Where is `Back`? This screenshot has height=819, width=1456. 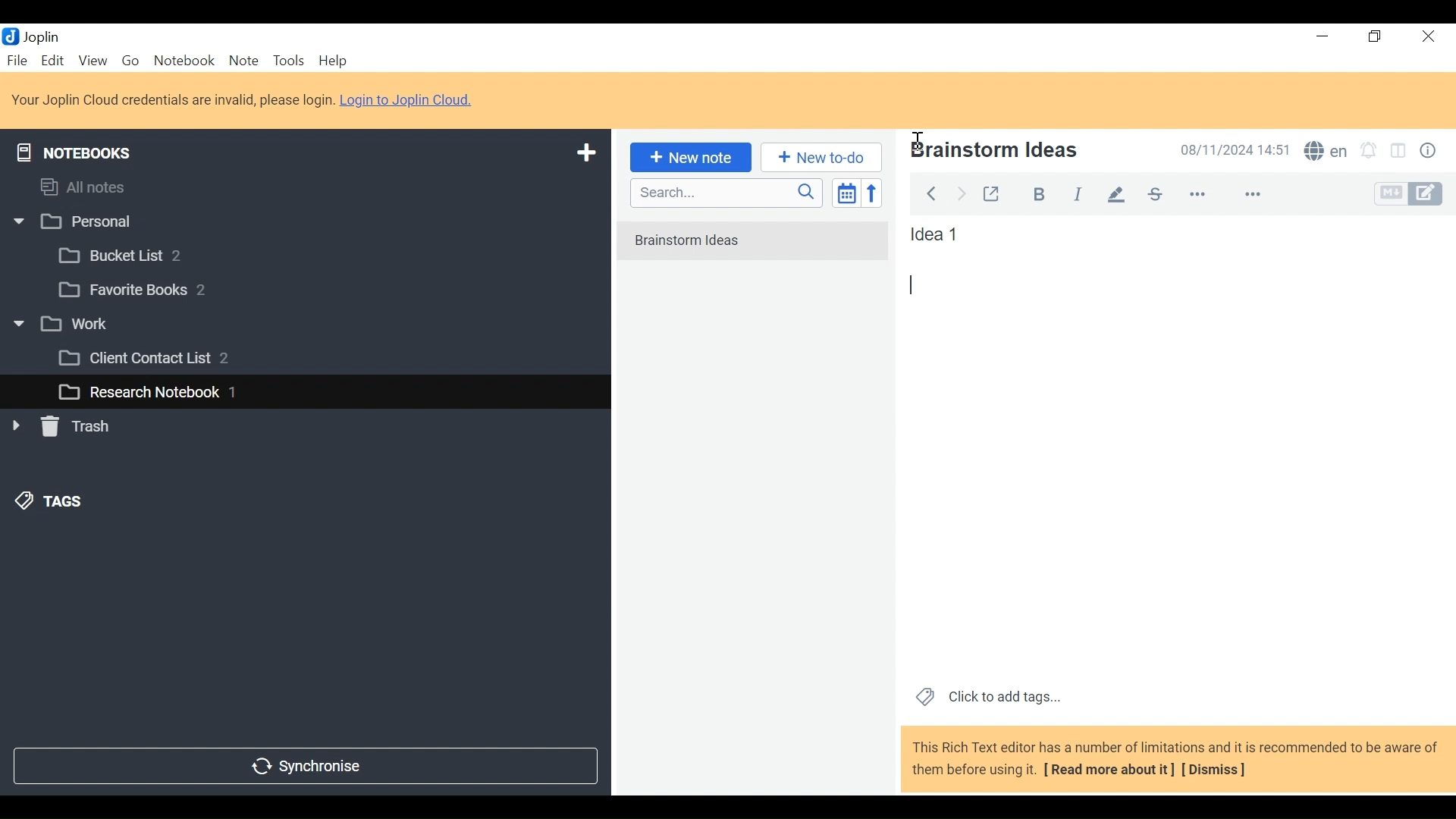 Back is located at coordinates (930, 191).